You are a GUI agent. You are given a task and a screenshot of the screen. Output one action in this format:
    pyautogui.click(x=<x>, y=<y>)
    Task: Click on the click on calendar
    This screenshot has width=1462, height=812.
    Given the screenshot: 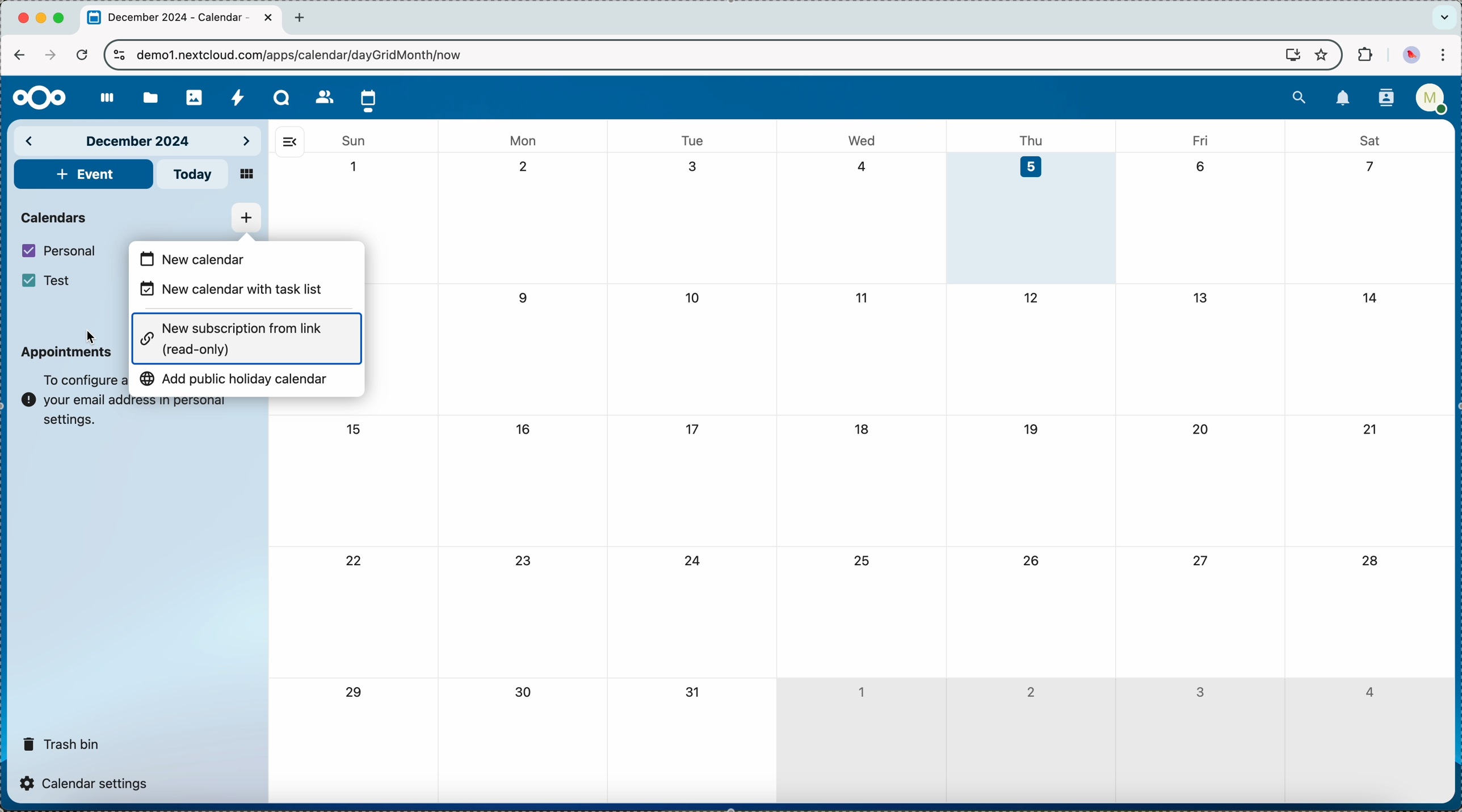 What is the action you would take?
    pyautogui.click(x=369, y=99)
    